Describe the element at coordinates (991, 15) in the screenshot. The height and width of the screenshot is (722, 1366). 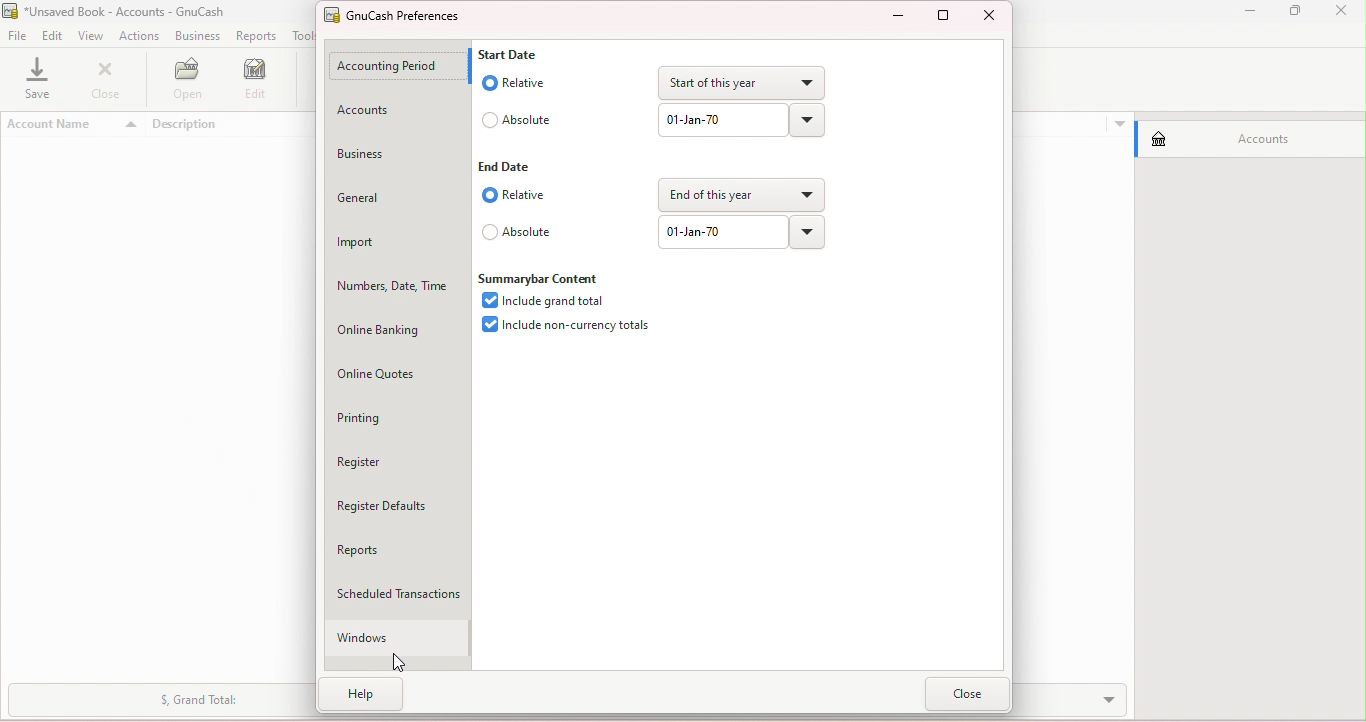
I see `Close` at that location.